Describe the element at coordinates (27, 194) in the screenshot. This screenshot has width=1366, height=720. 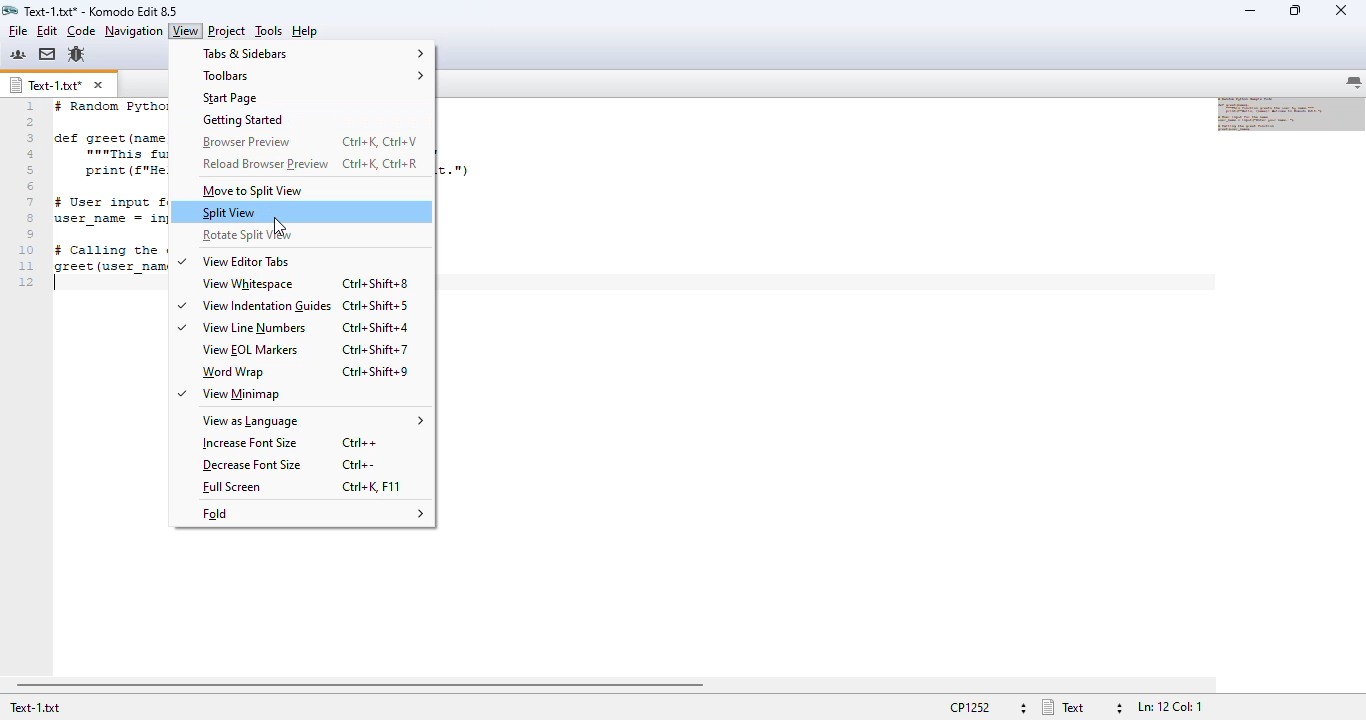
I see `line numbers` at that location.